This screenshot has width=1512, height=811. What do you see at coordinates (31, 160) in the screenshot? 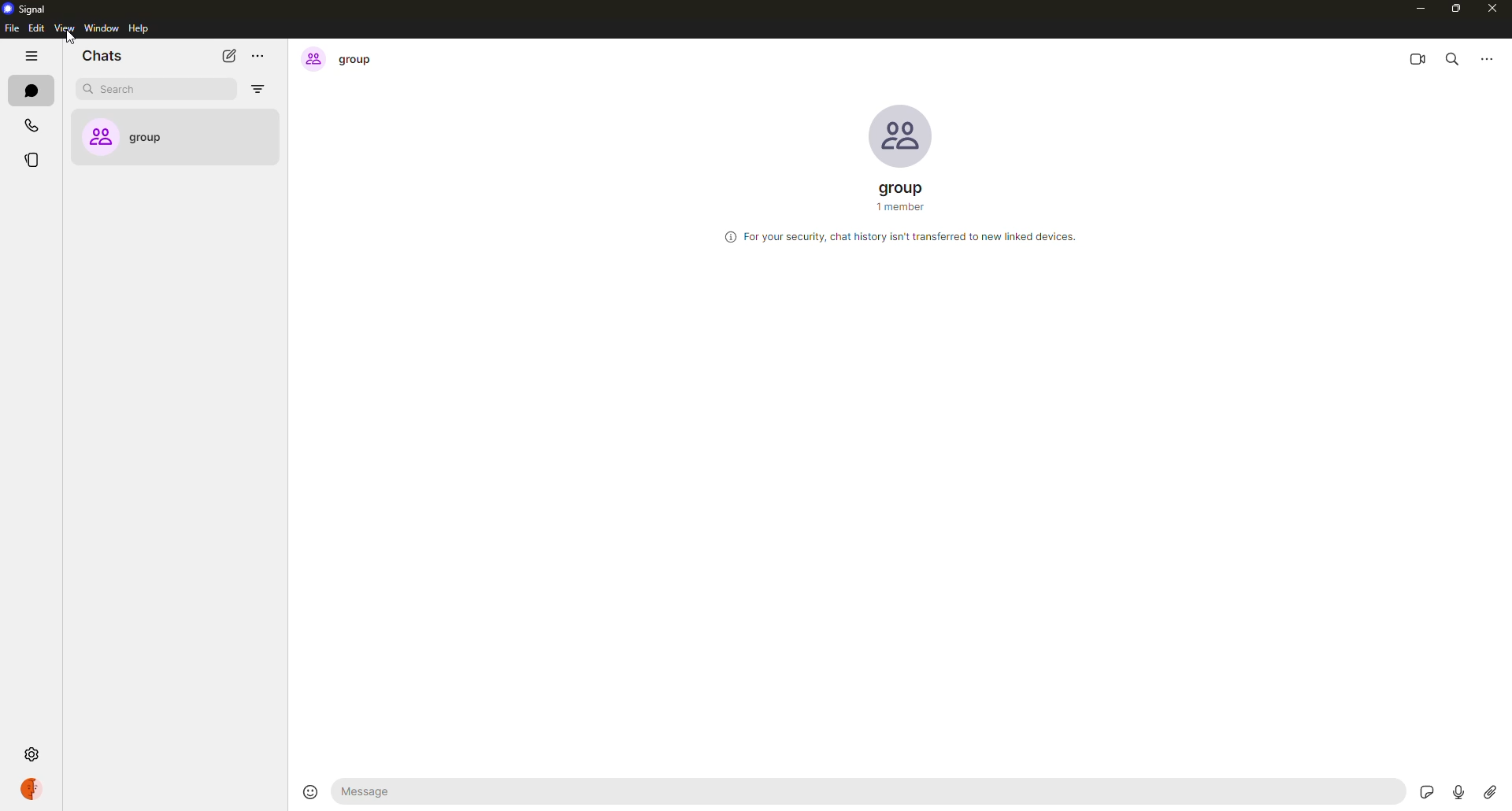
I see `stories` at bounding box center [31, 160].